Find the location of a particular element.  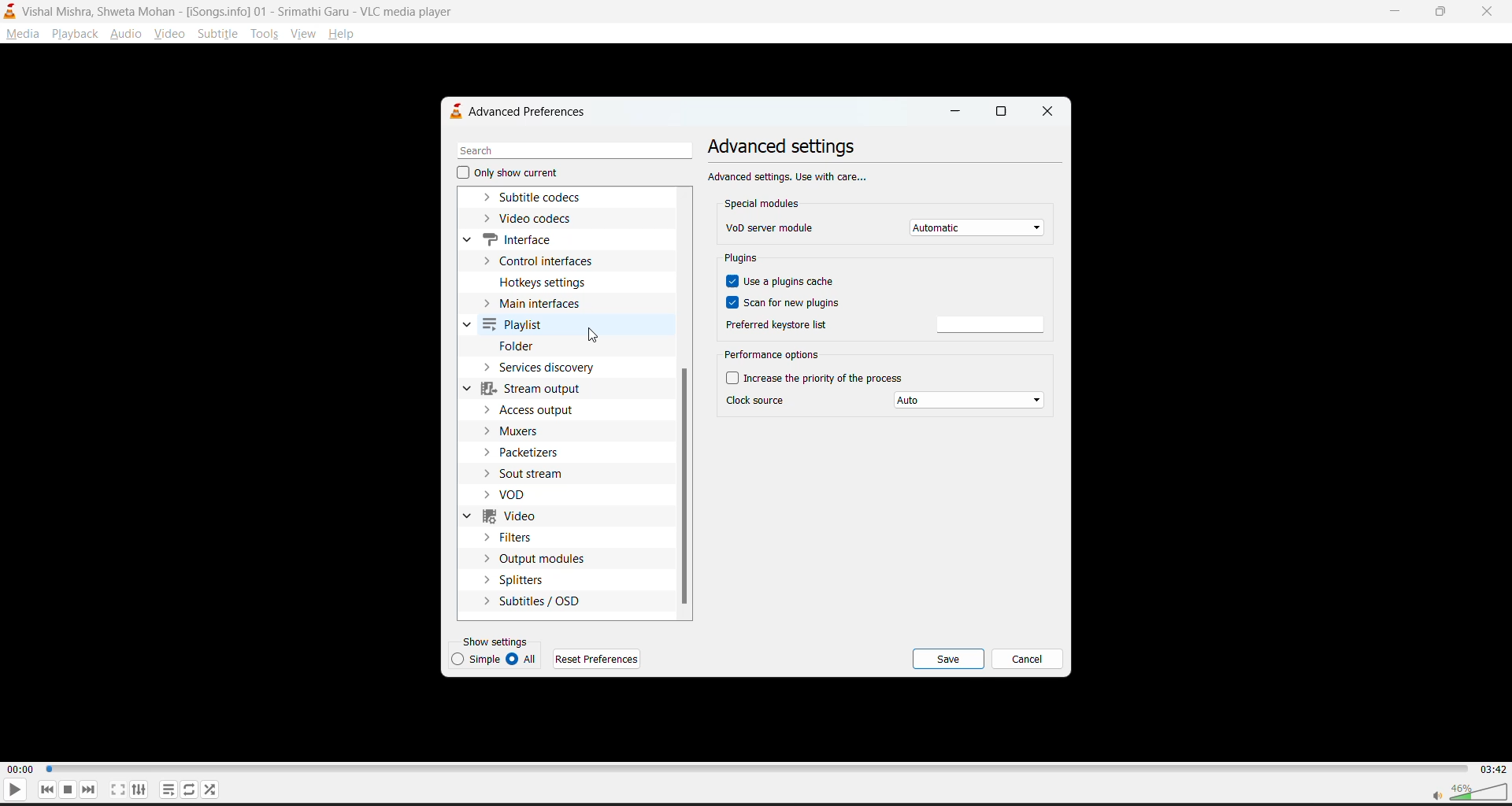

scan for new plugins is located at coordinates (787, 302).